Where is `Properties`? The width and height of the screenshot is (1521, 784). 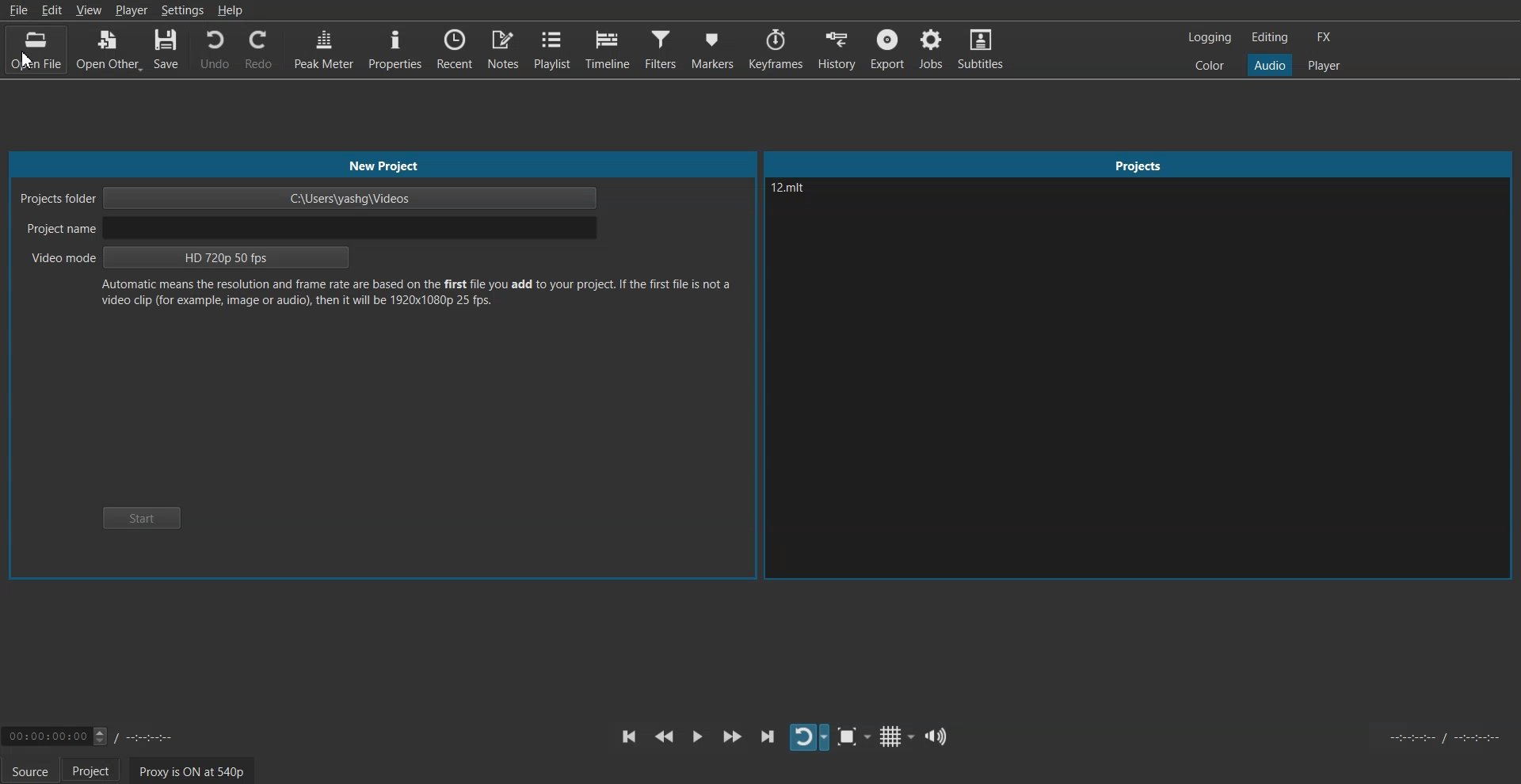
Properties is located at coordinates (395, 49).